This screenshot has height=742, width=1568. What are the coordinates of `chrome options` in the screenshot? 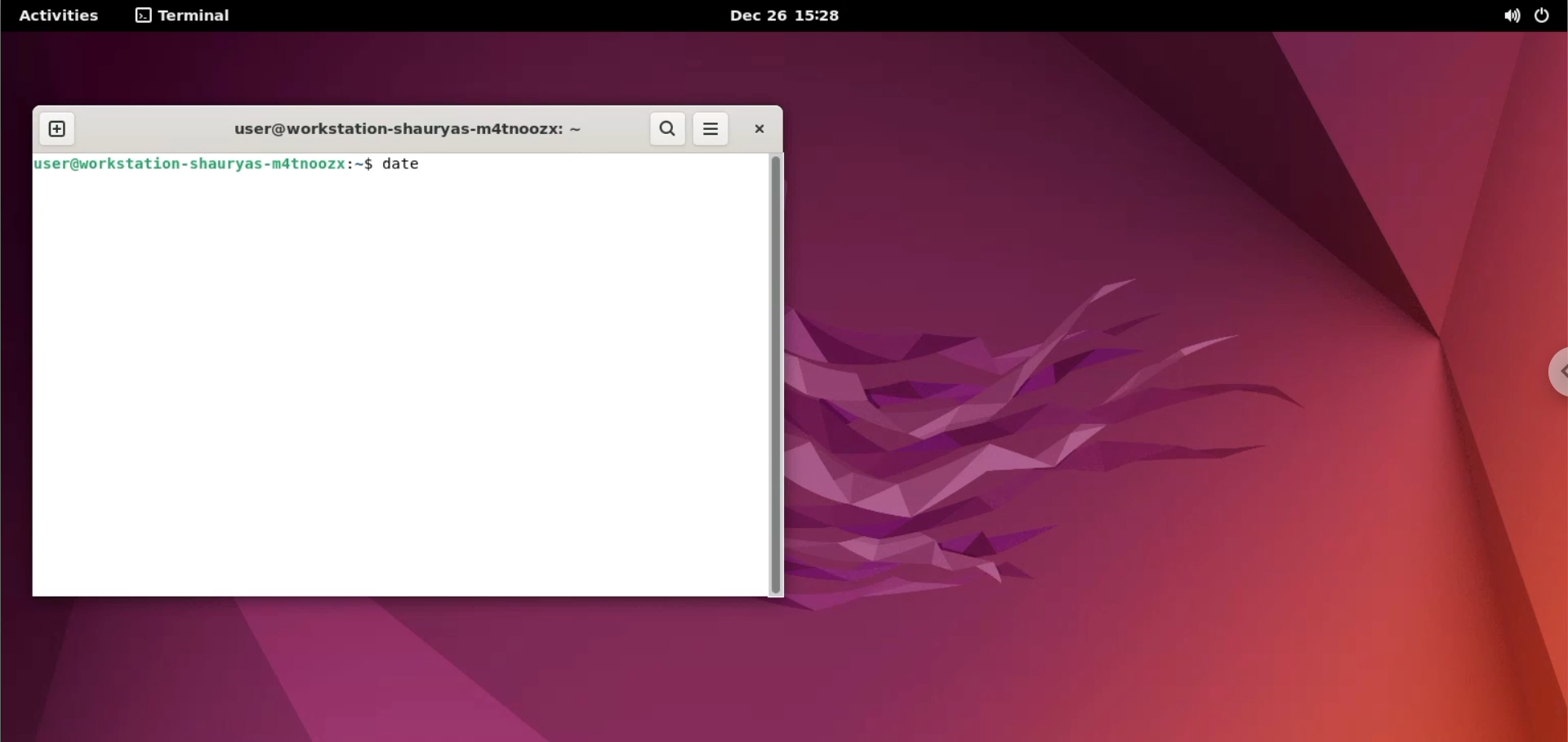 It's located at (1552, 376).